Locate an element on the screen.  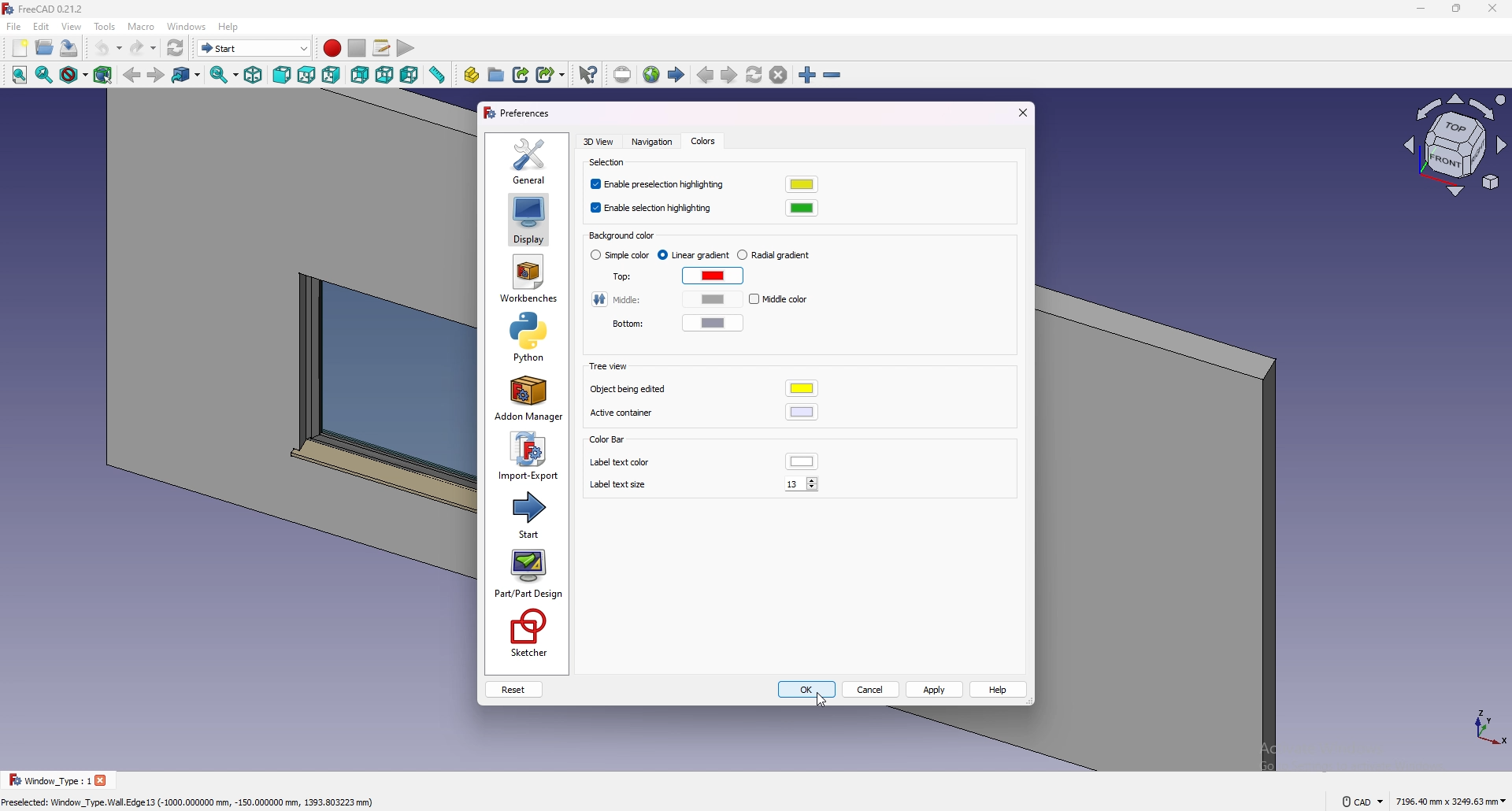
color bar is located at coordinates (606, 440).